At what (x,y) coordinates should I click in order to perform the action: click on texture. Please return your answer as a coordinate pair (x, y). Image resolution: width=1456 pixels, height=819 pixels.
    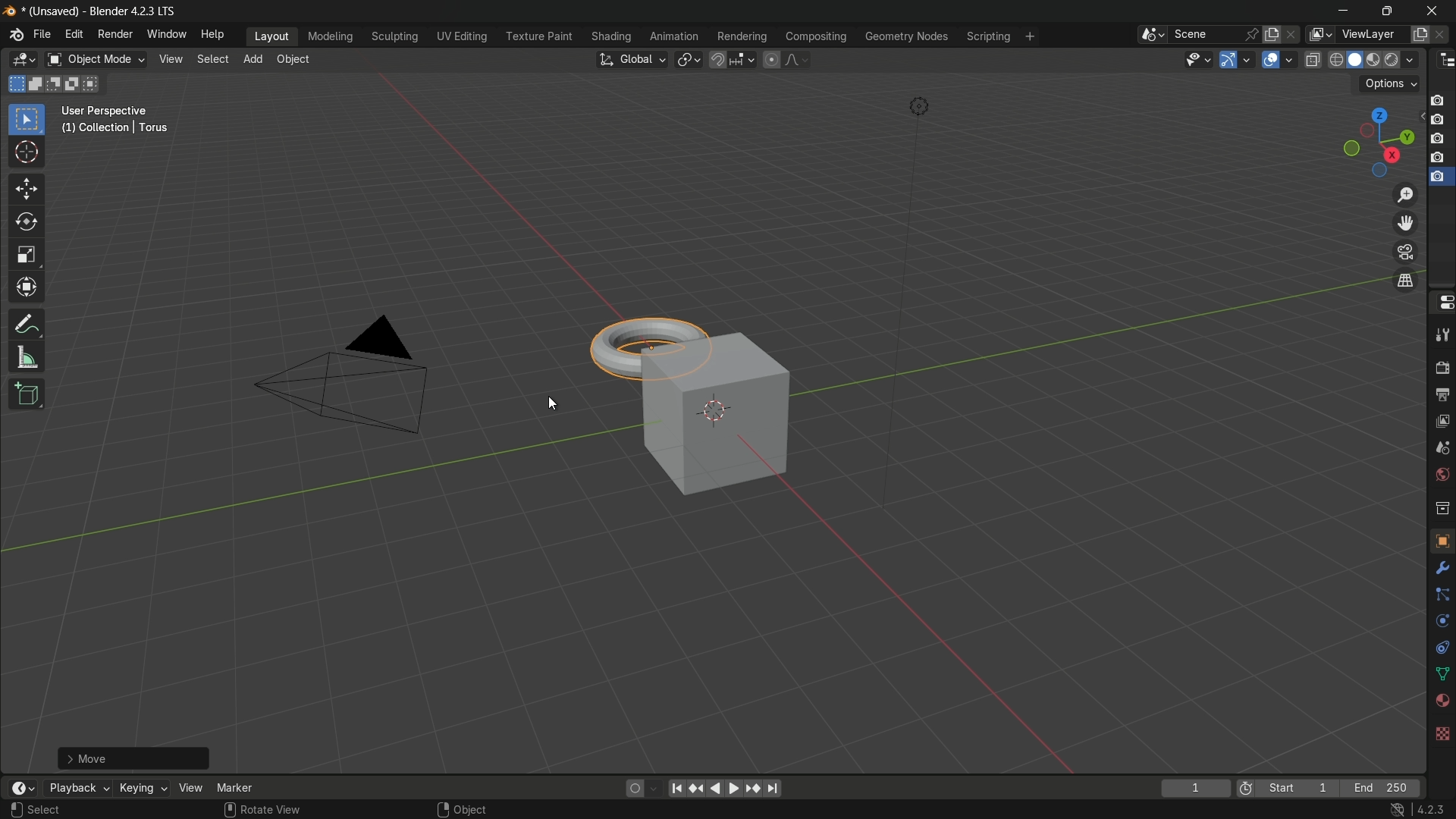
    Looking at the image, I should click on (1442, 733).